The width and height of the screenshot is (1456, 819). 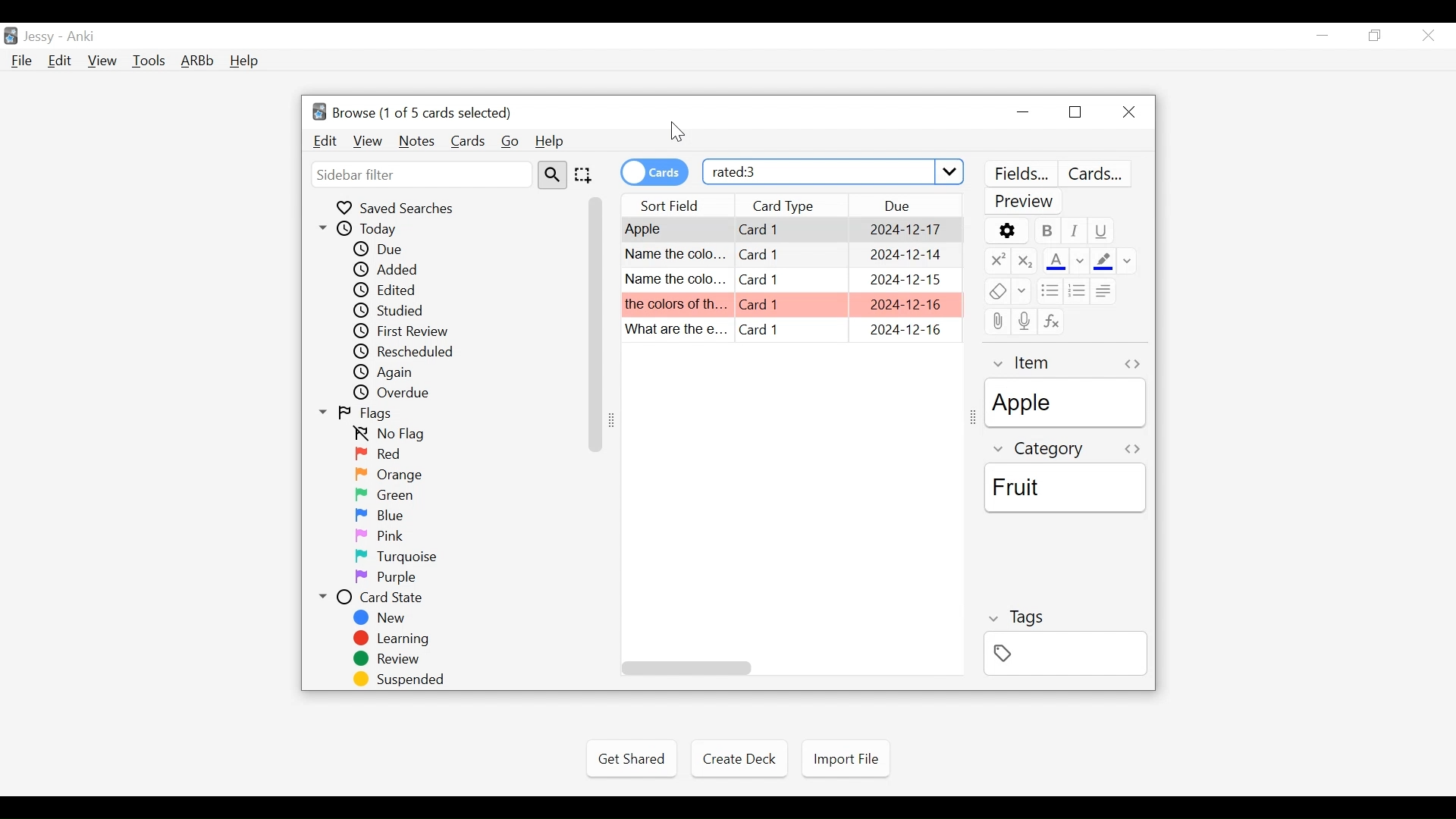 What do you see at coordinates (1065, 259) in the screenshot?
I see `Text Color` at bounding box center [1065, 259].